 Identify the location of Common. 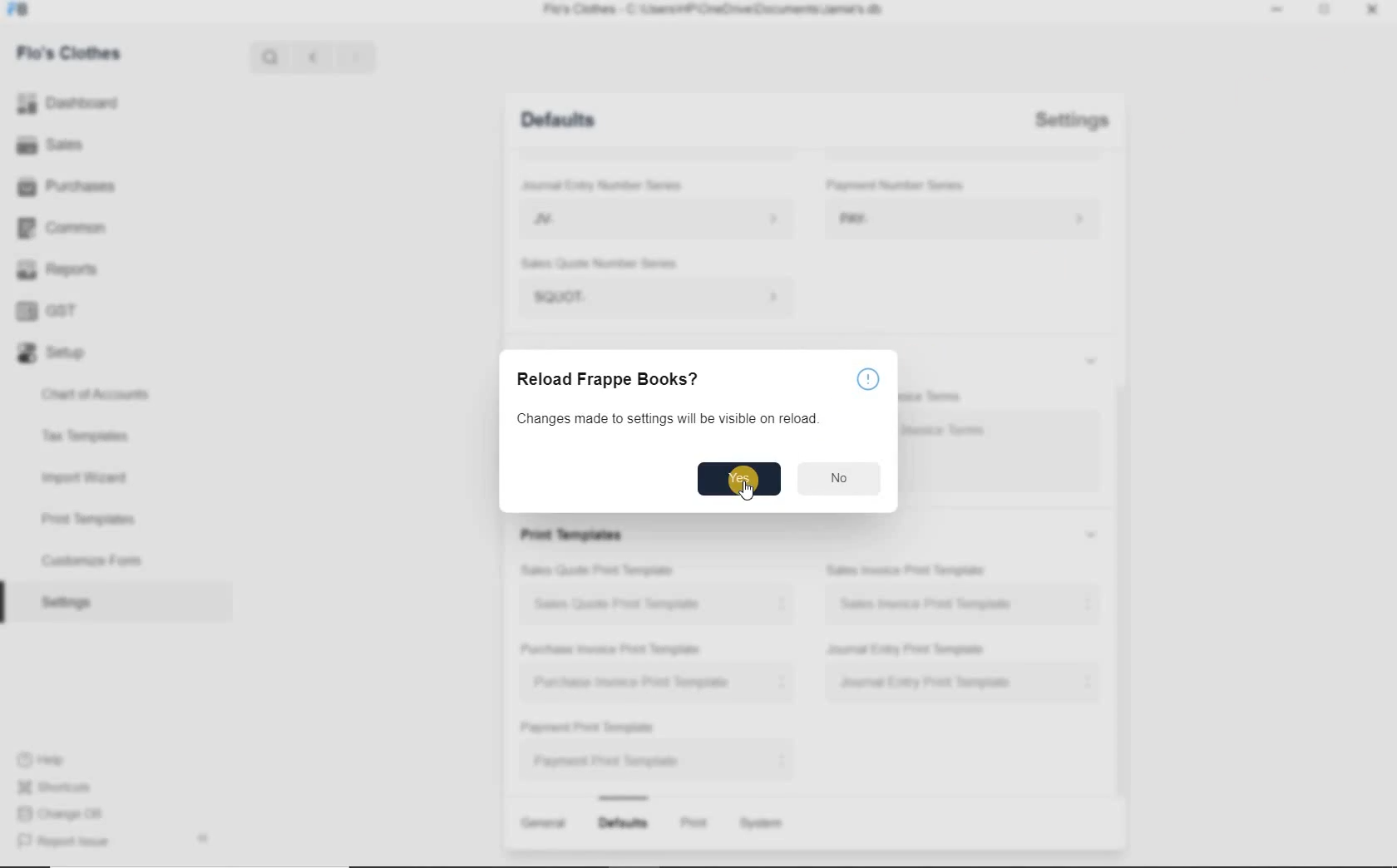
(66, 229).